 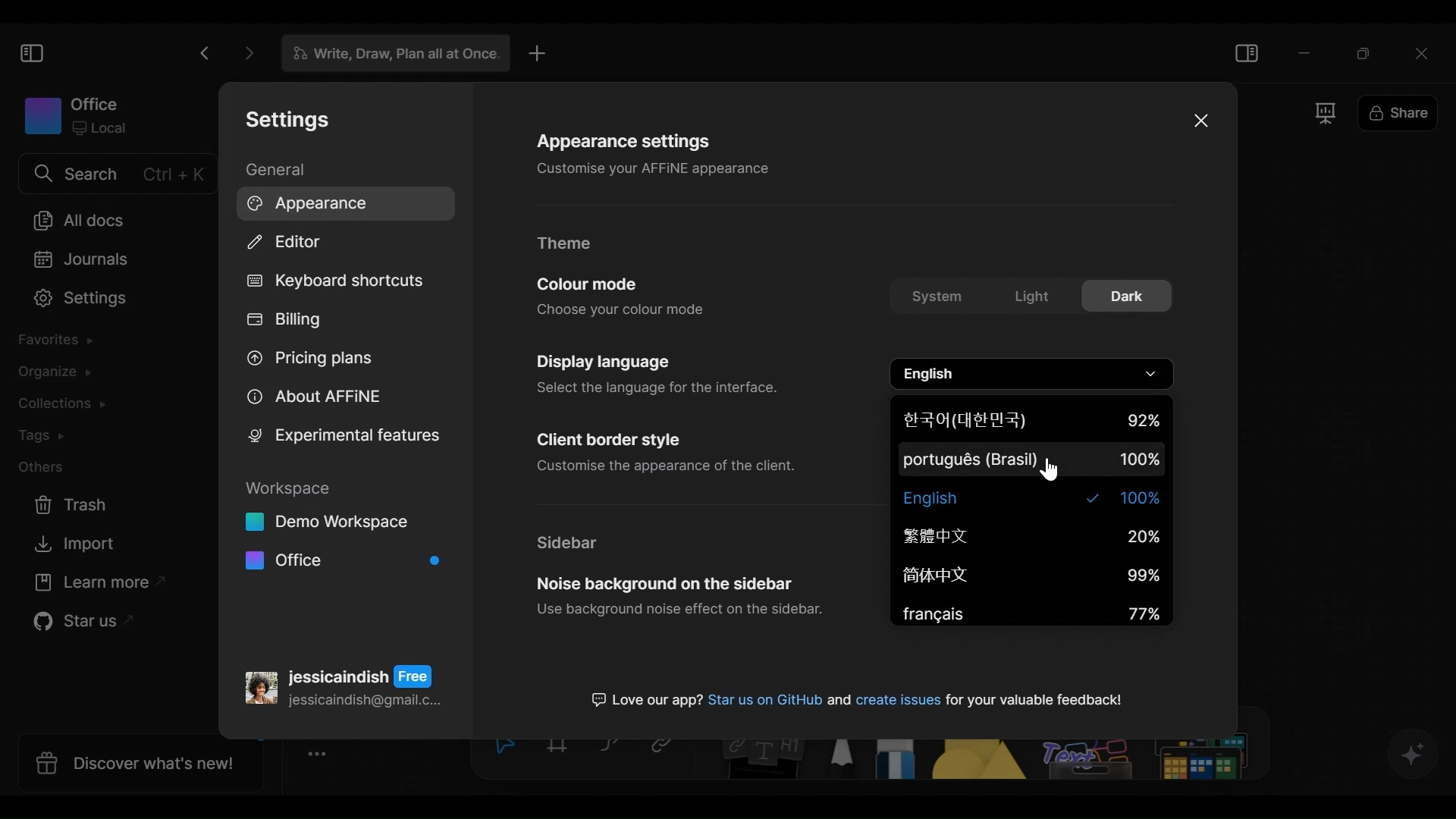 What do you see at coordinates (501, 748) in the screenshot?
I see `Select` at bounding box center [501, 748].